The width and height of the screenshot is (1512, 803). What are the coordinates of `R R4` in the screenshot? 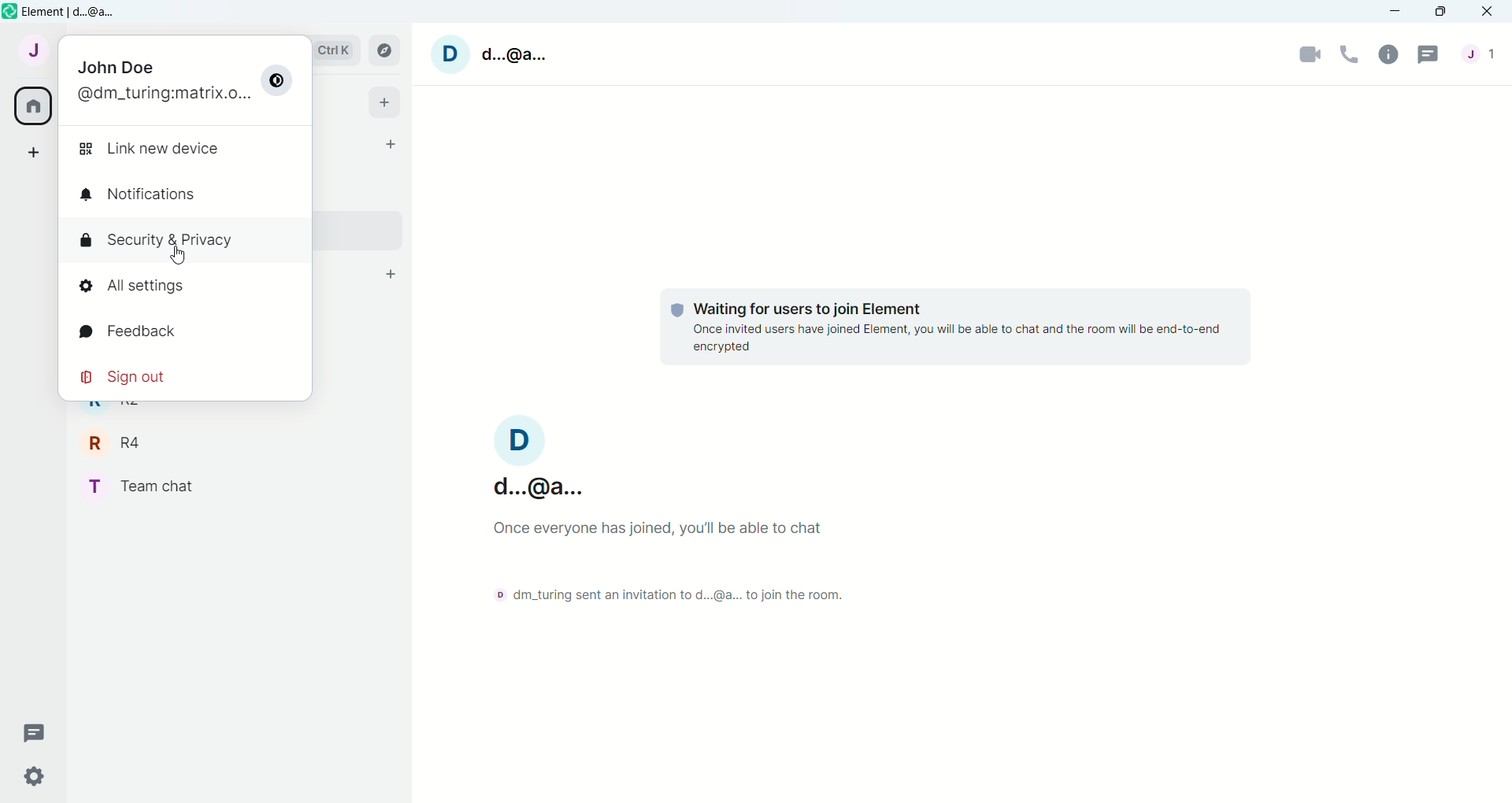 It's located at (117, 442).